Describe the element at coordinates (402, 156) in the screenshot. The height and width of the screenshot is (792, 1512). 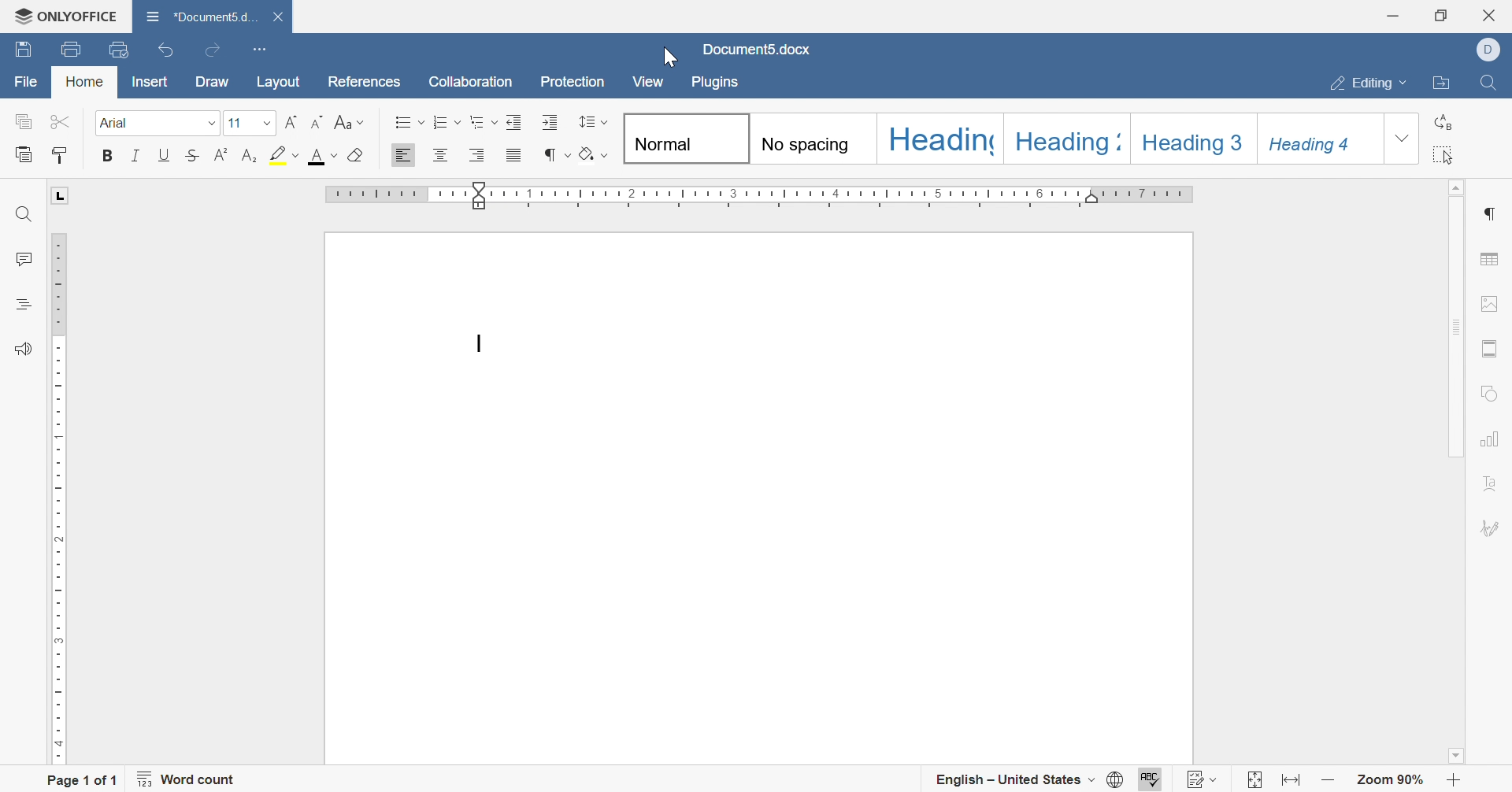
I see `Align Left` at that location.